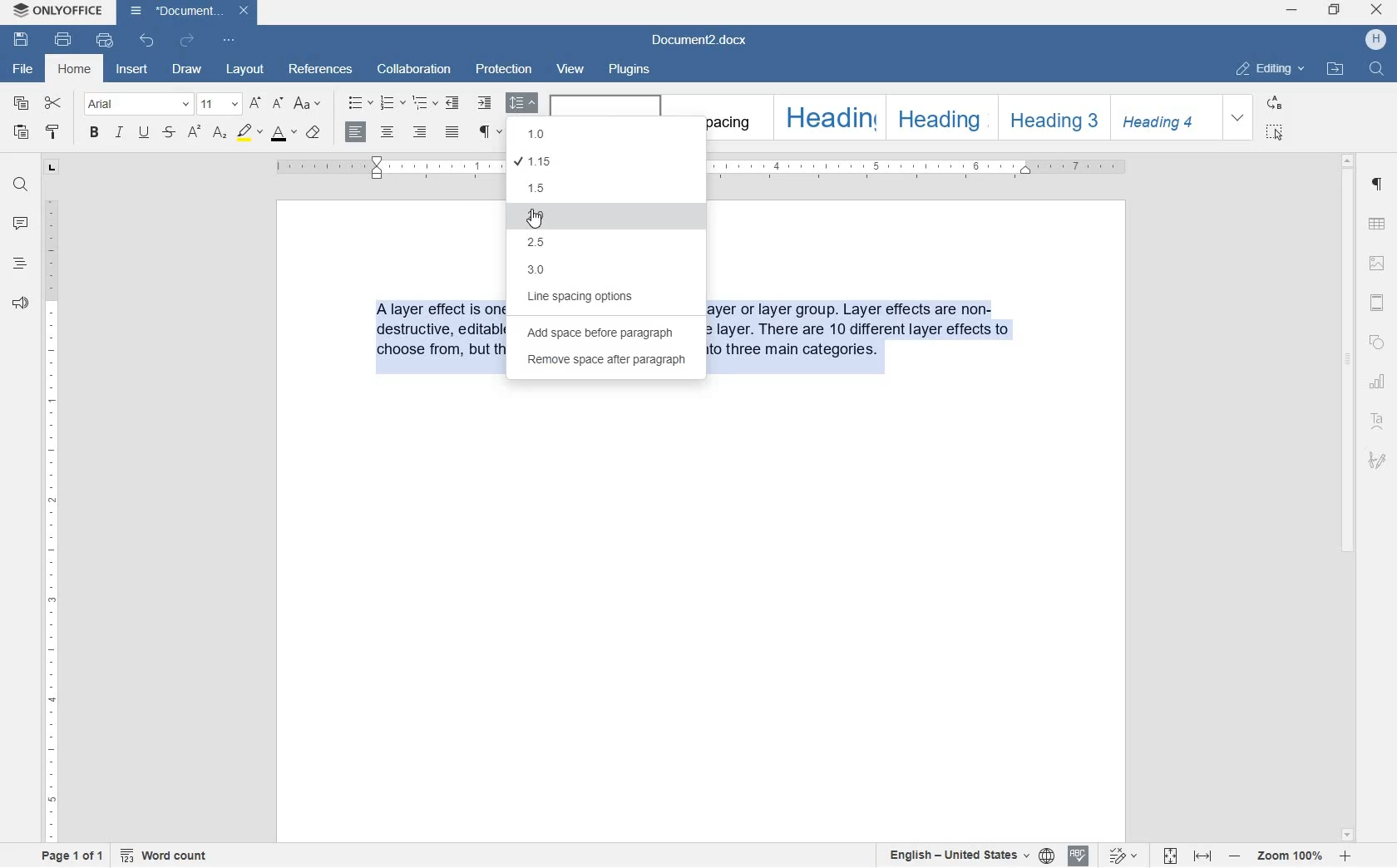 The image size is (1397, 868). What do you see at coordinates (187, 70) in the screenshot?
I see `draw` at bounding box center [187, 70].